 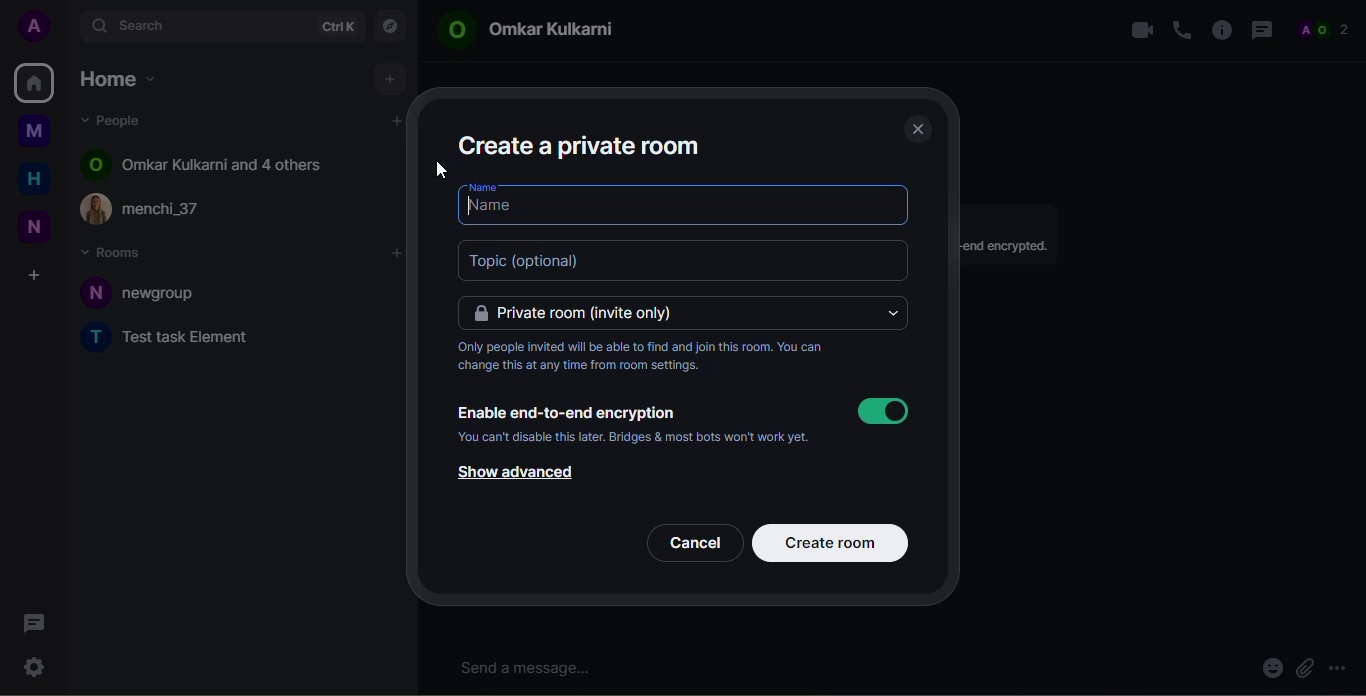 What do you see at coordinates (582, 144) in the screenshot?
I see `create a private room` at bounding box center [582, 144].